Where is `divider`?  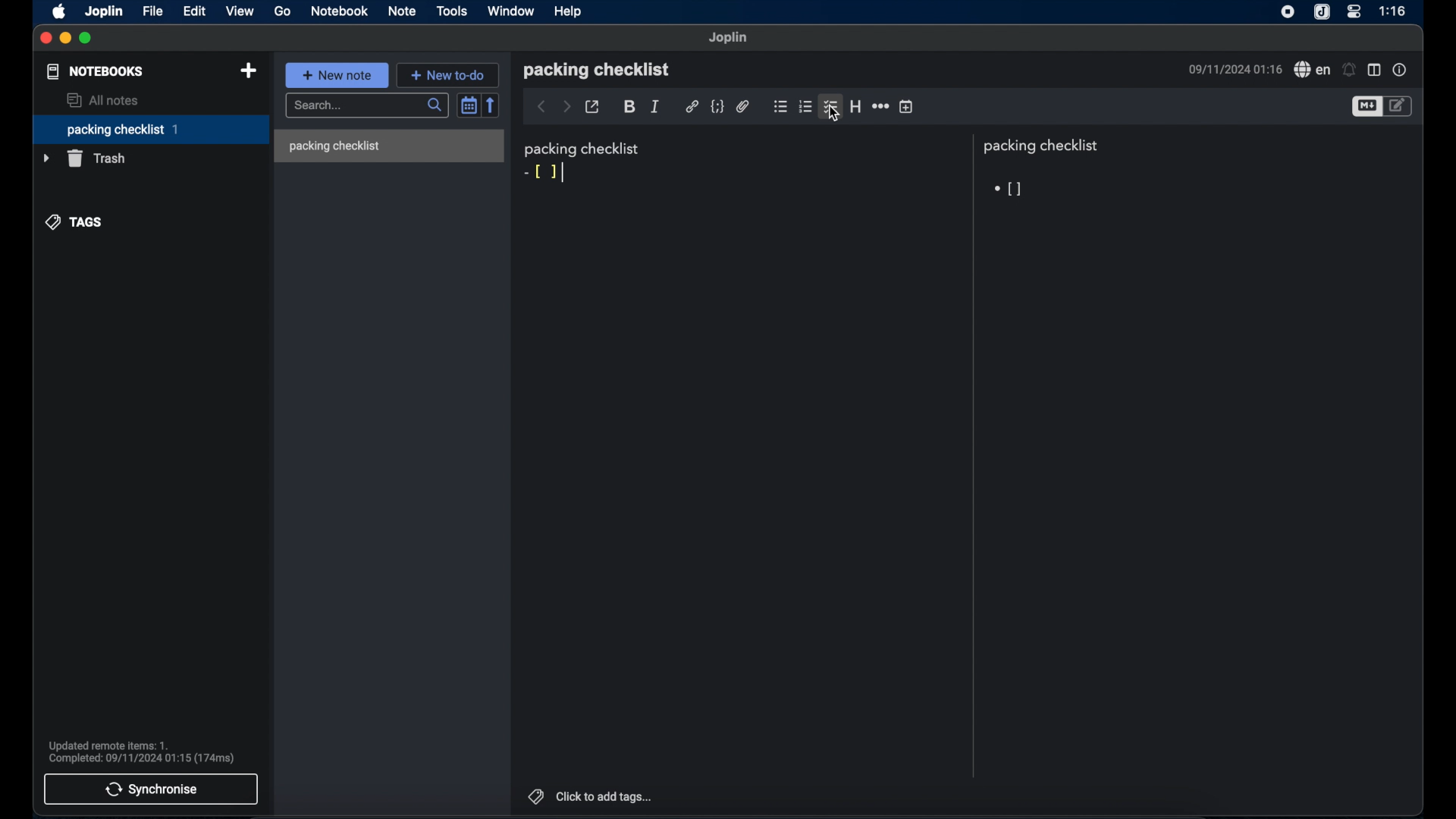 divider is located at coordinates (971, 456).